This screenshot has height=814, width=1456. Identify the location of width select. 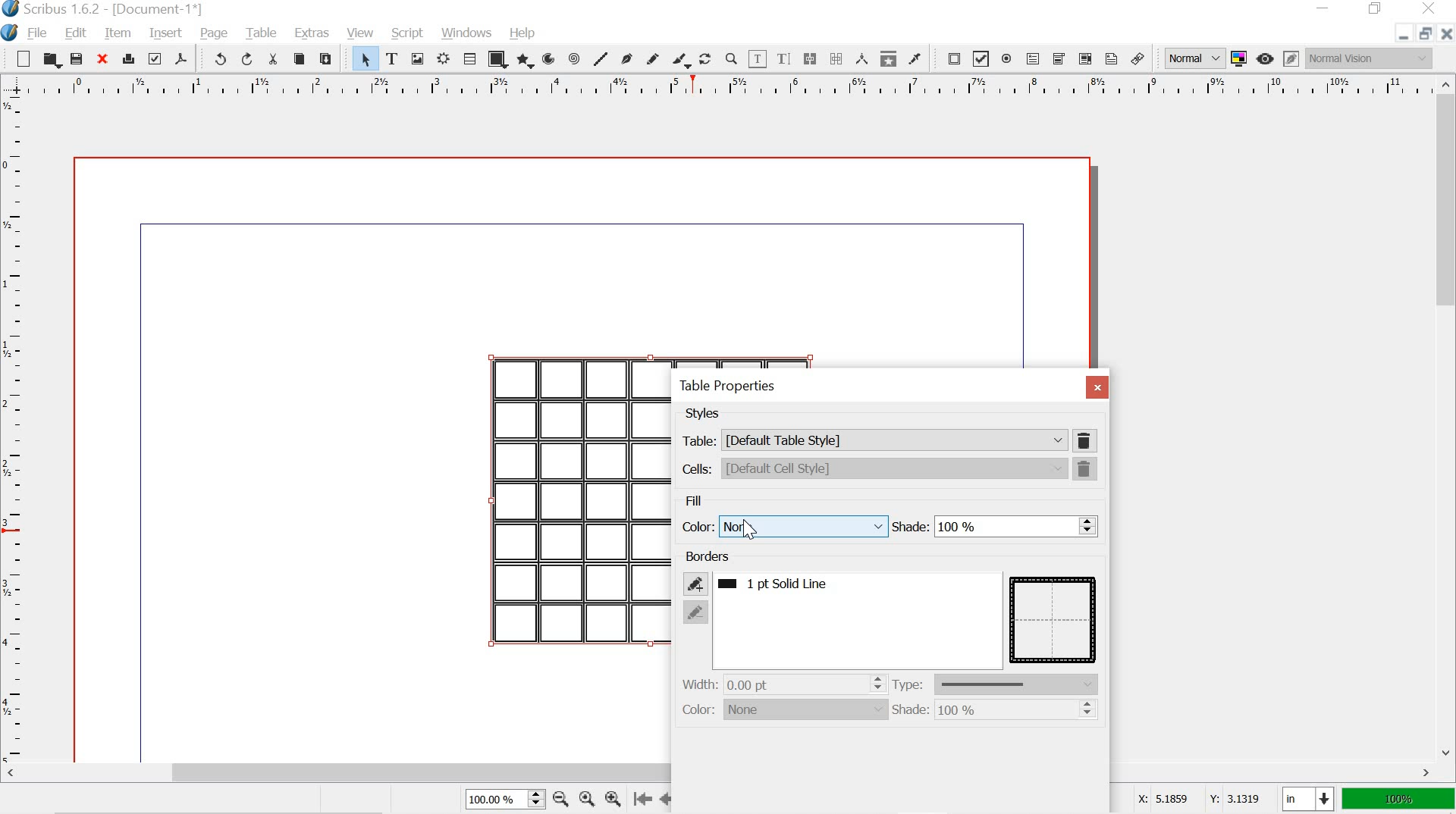
(877, 683).